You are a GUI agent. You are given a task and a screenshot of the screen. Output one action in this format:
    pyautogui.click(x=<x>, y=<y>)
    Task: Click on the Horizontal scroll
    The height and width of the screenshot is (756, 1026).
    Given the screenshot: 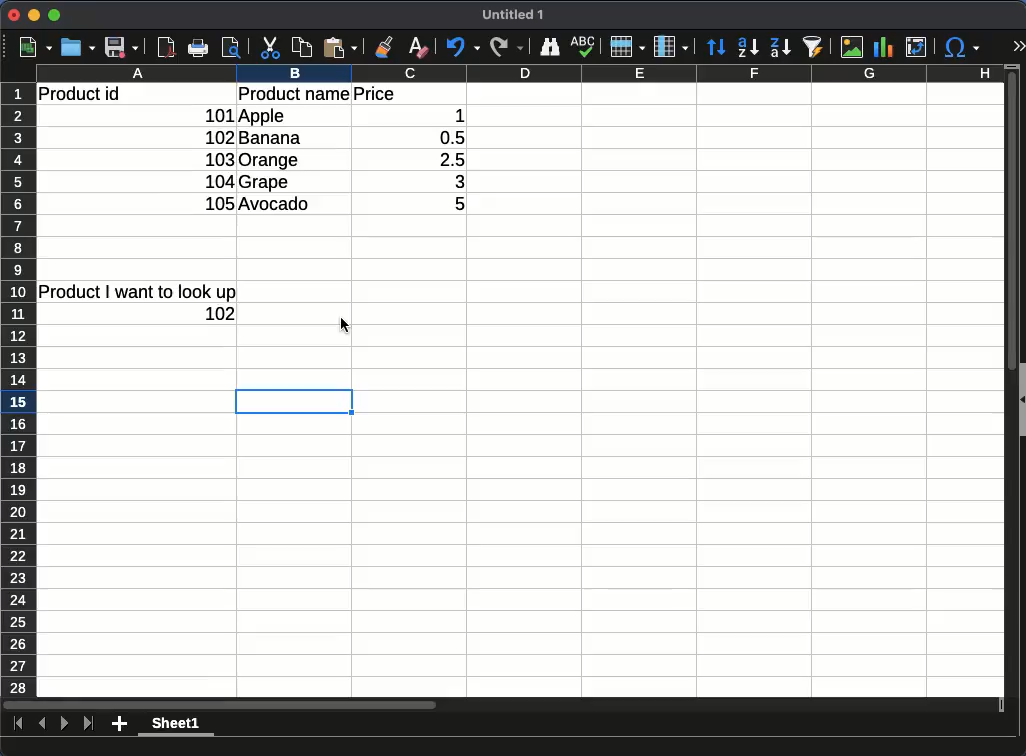 What is the action you would take?
    pyautogui.click(x=504, y=705)
    